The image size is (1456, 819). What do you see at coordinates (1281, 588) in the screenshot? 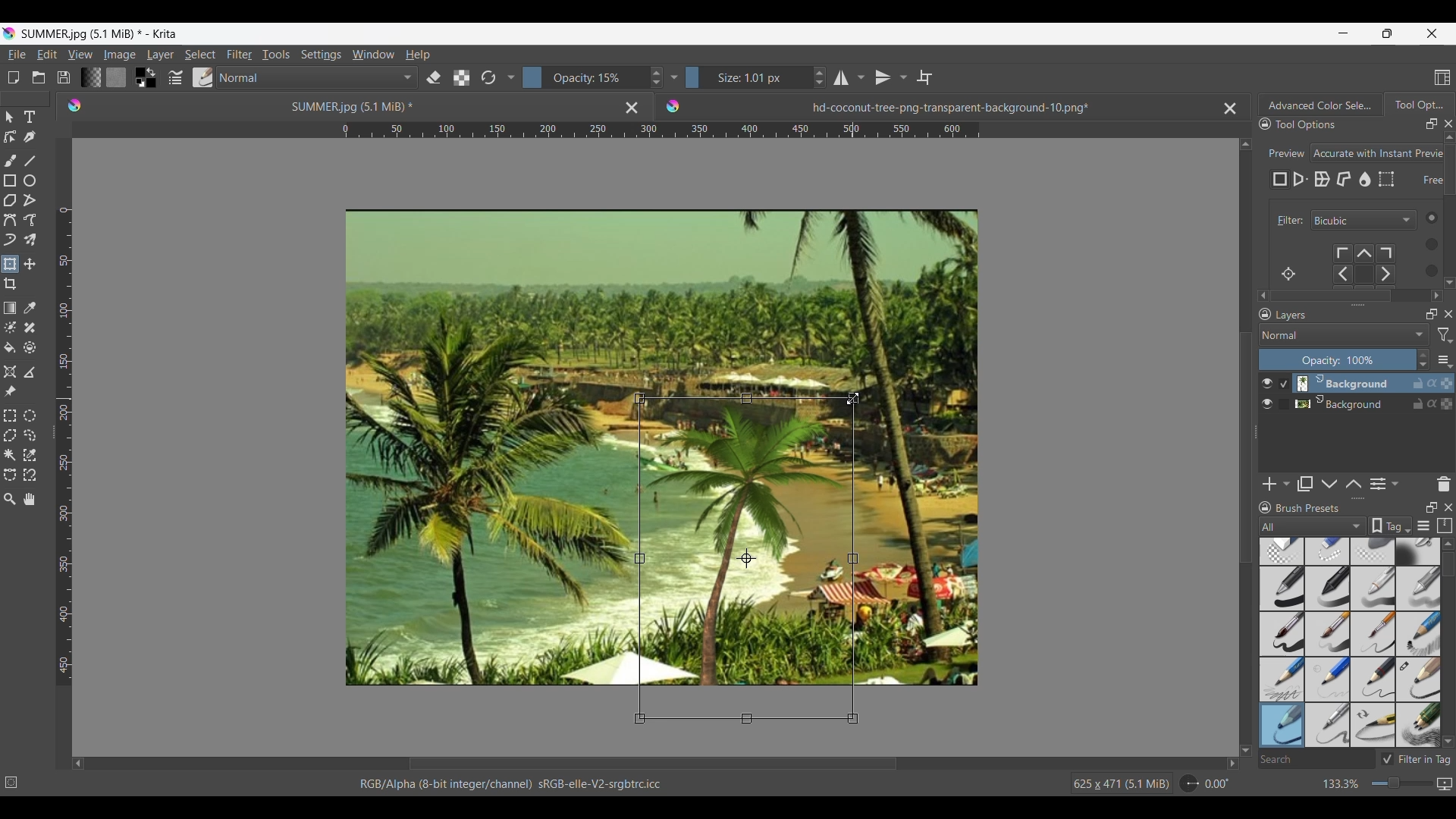
I see `basic1` at bounding box center [1281, 588].